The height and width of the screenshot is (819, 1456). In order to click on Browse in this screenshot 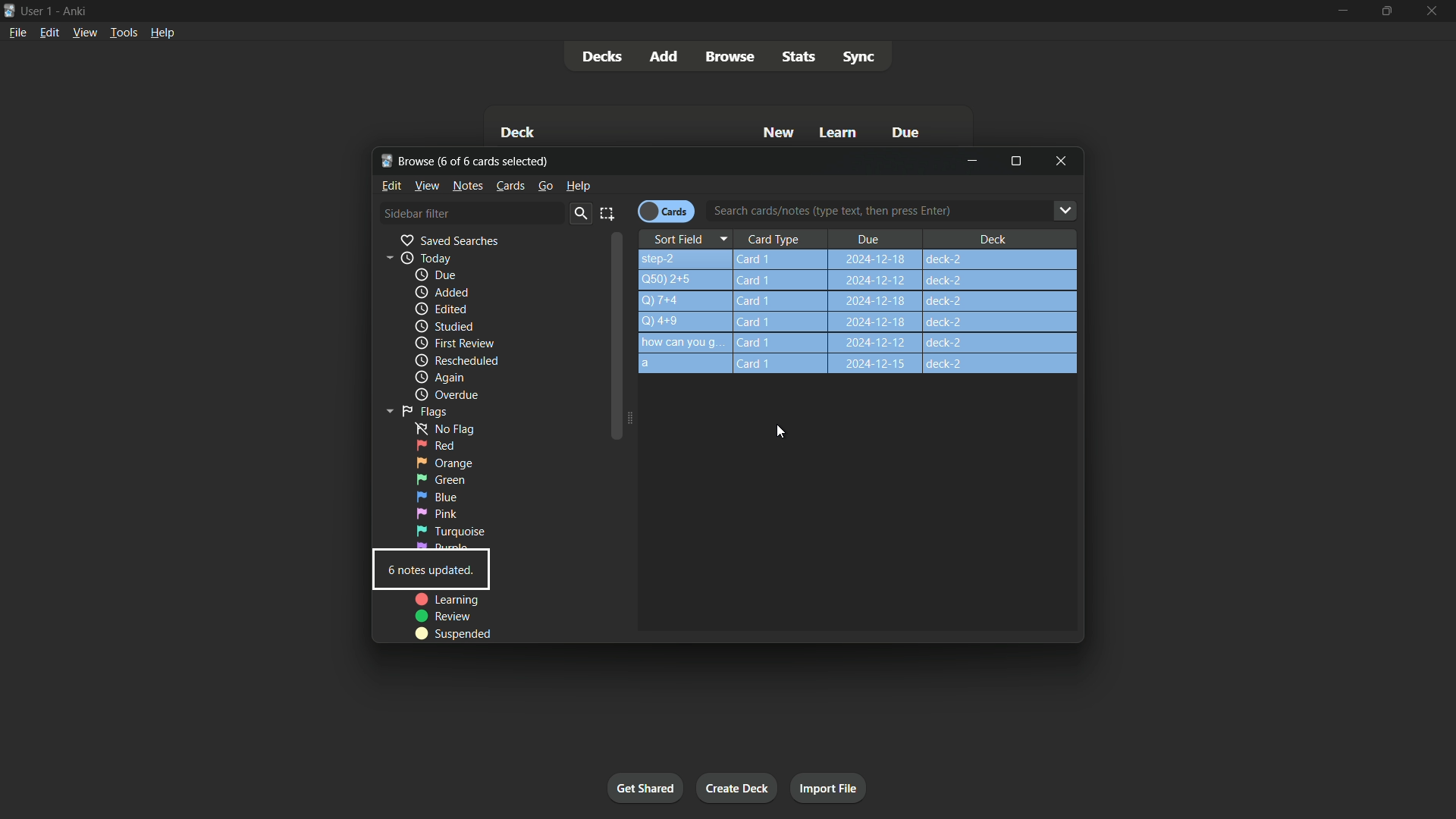, I will do `click(408, 160)`.